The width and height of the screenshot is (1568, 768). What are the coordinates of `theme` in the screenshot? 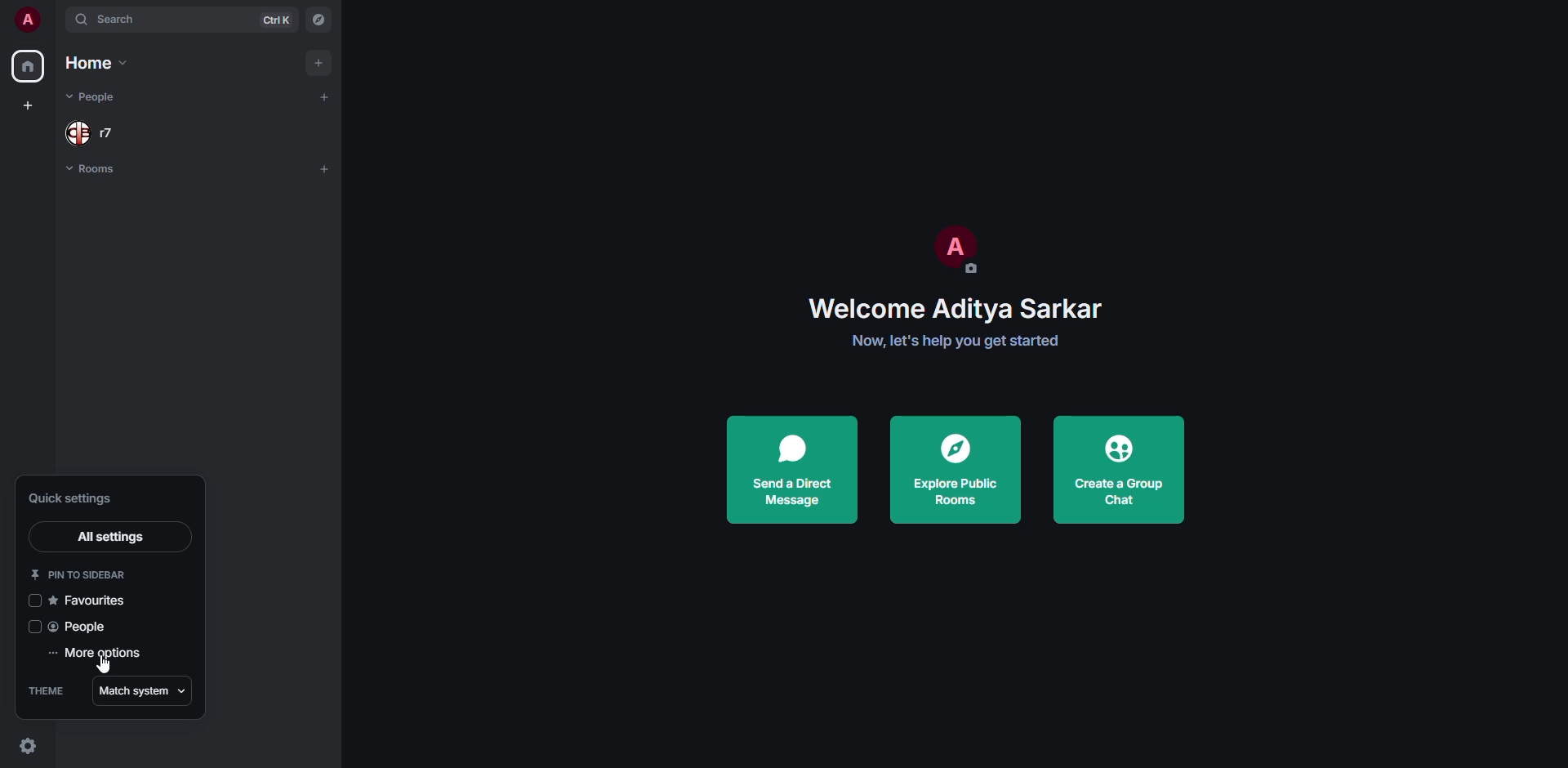 It's located at (49, 689).